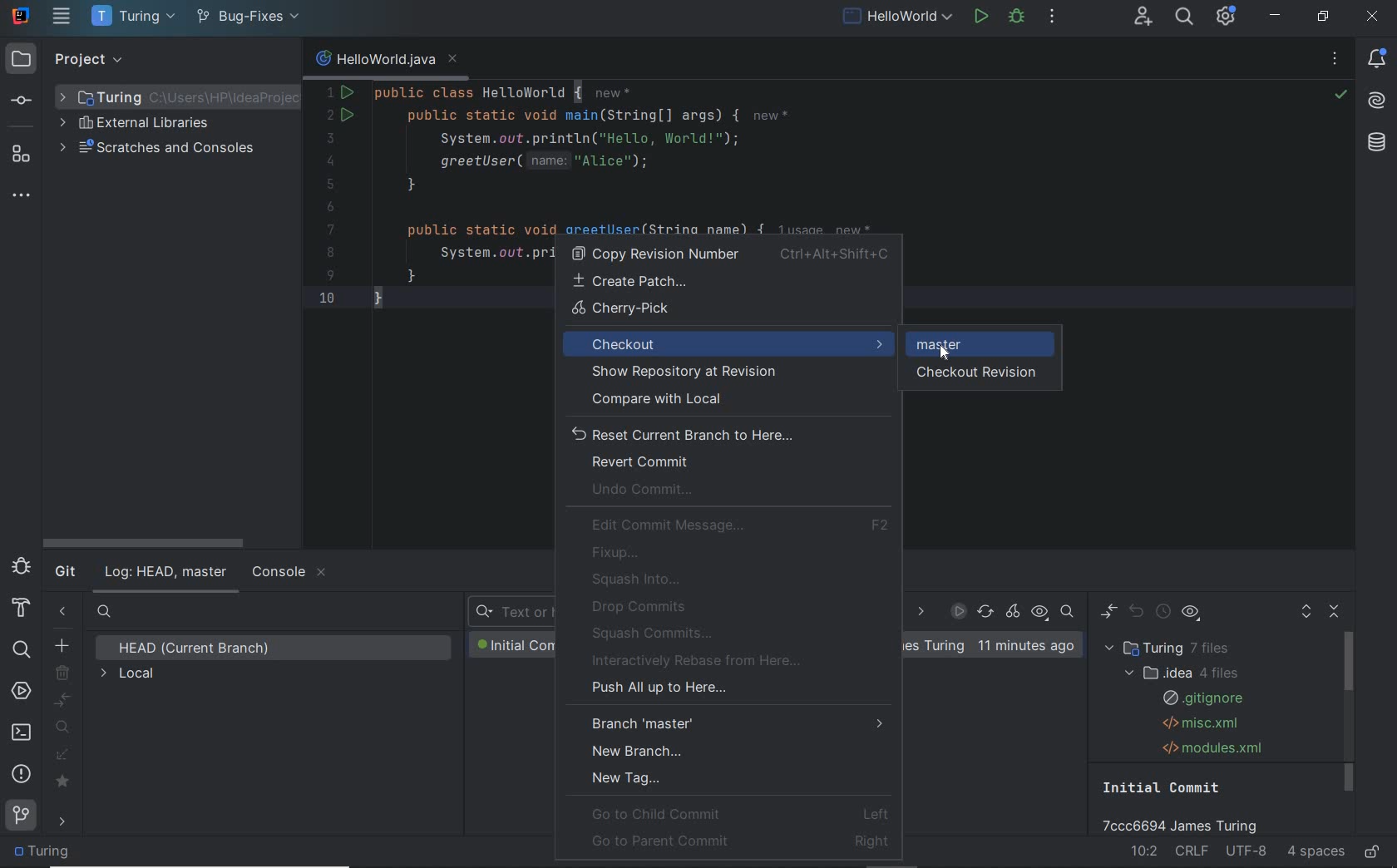 This screenshot has width=1397, height=868. I want to click on notifications, so click(1378, 60).